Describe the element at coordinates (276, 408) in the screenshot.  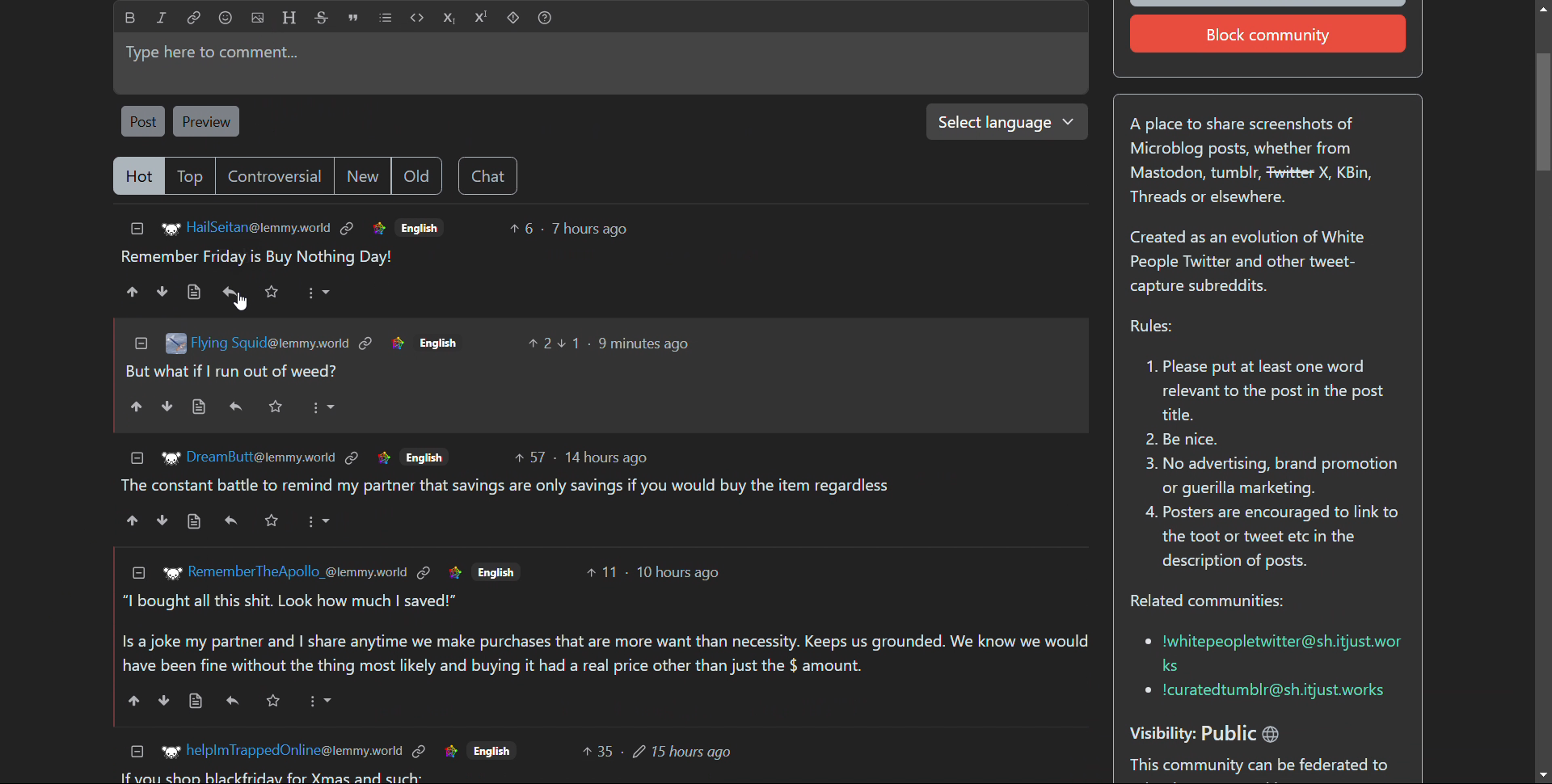
I see `Favorite` at that location.